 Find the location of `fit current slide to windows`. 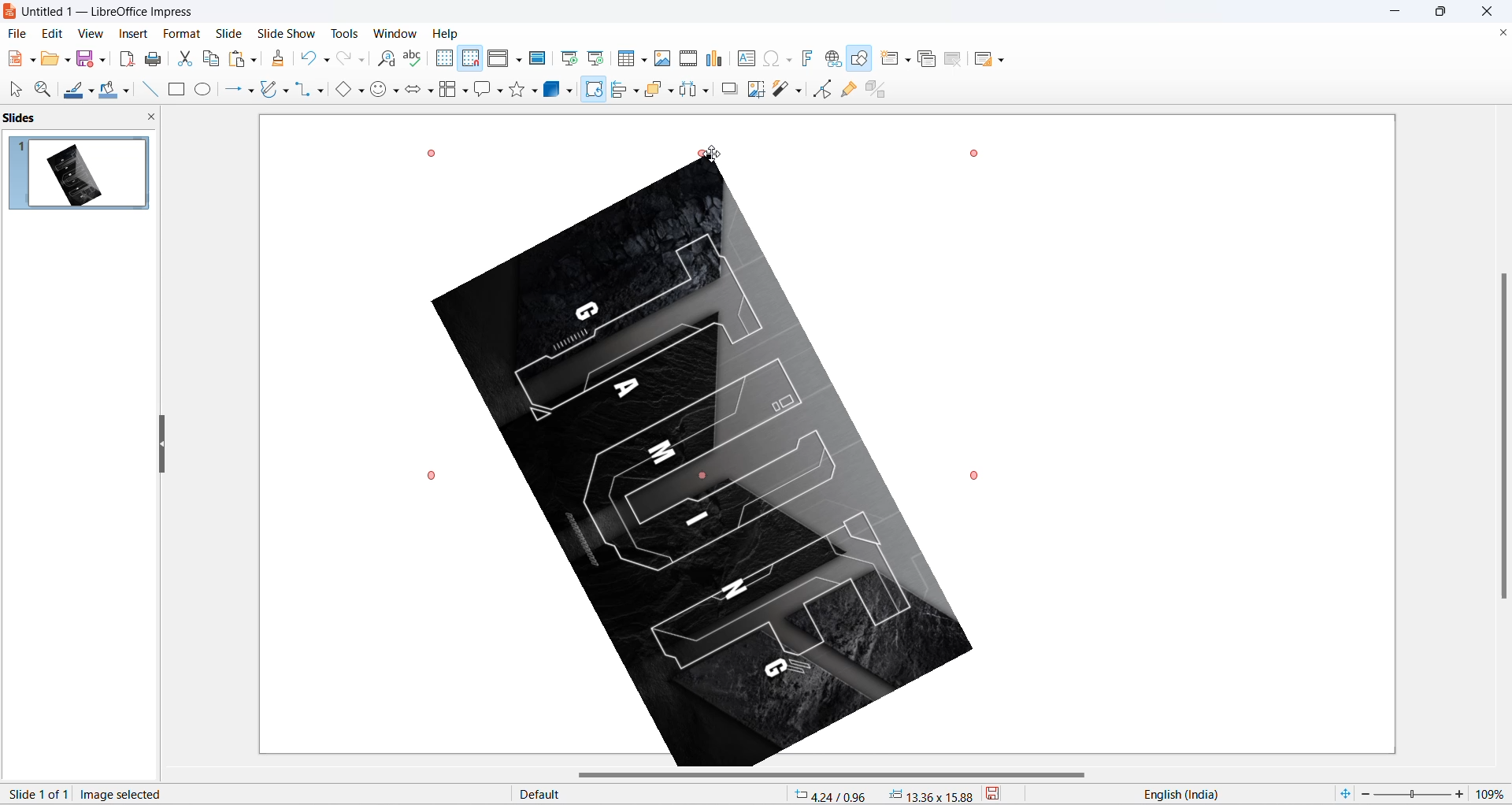

fit current slide to windows is located at coordinates (1343, 793).